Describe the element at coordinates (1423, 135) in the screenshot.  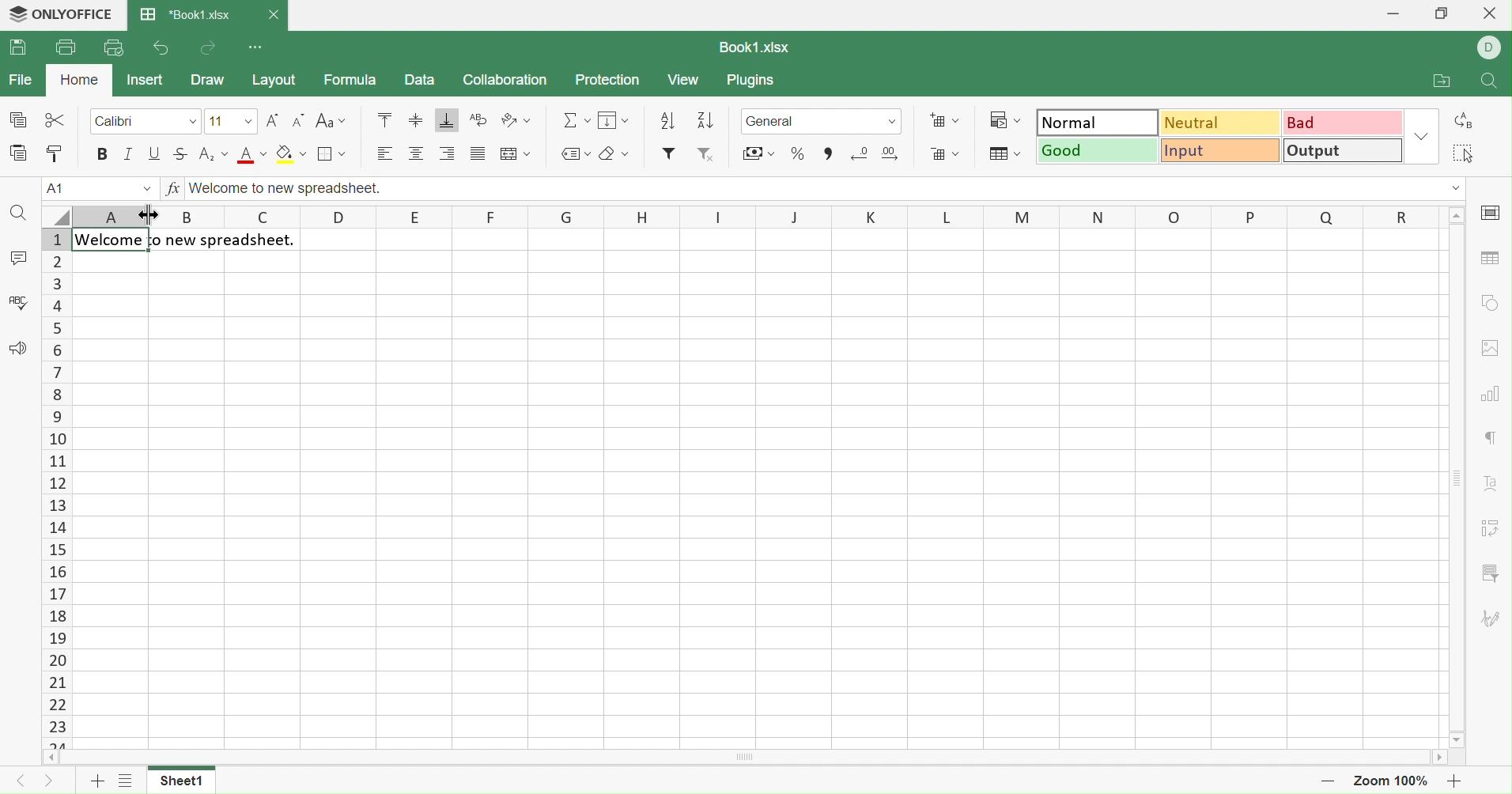
I see `Drop Down` at that location.